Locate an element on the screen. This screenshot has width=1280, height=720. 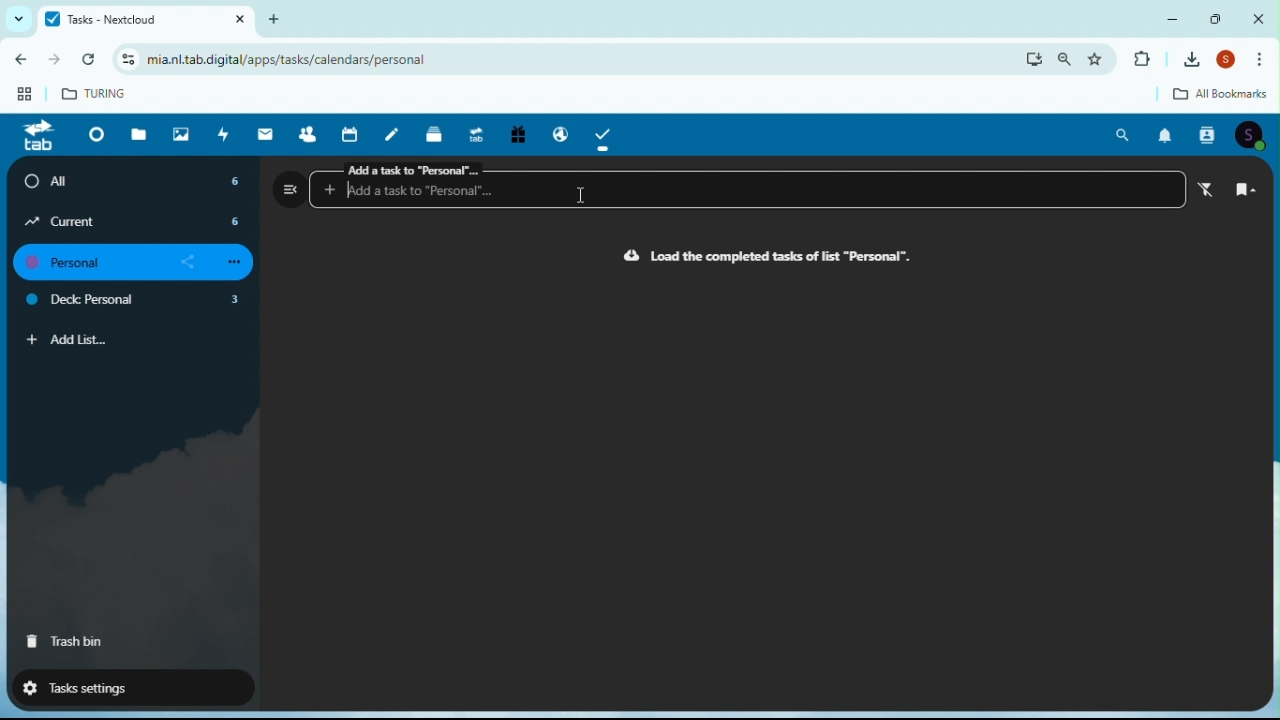
Deck personal is located at coordinates (136, 302).